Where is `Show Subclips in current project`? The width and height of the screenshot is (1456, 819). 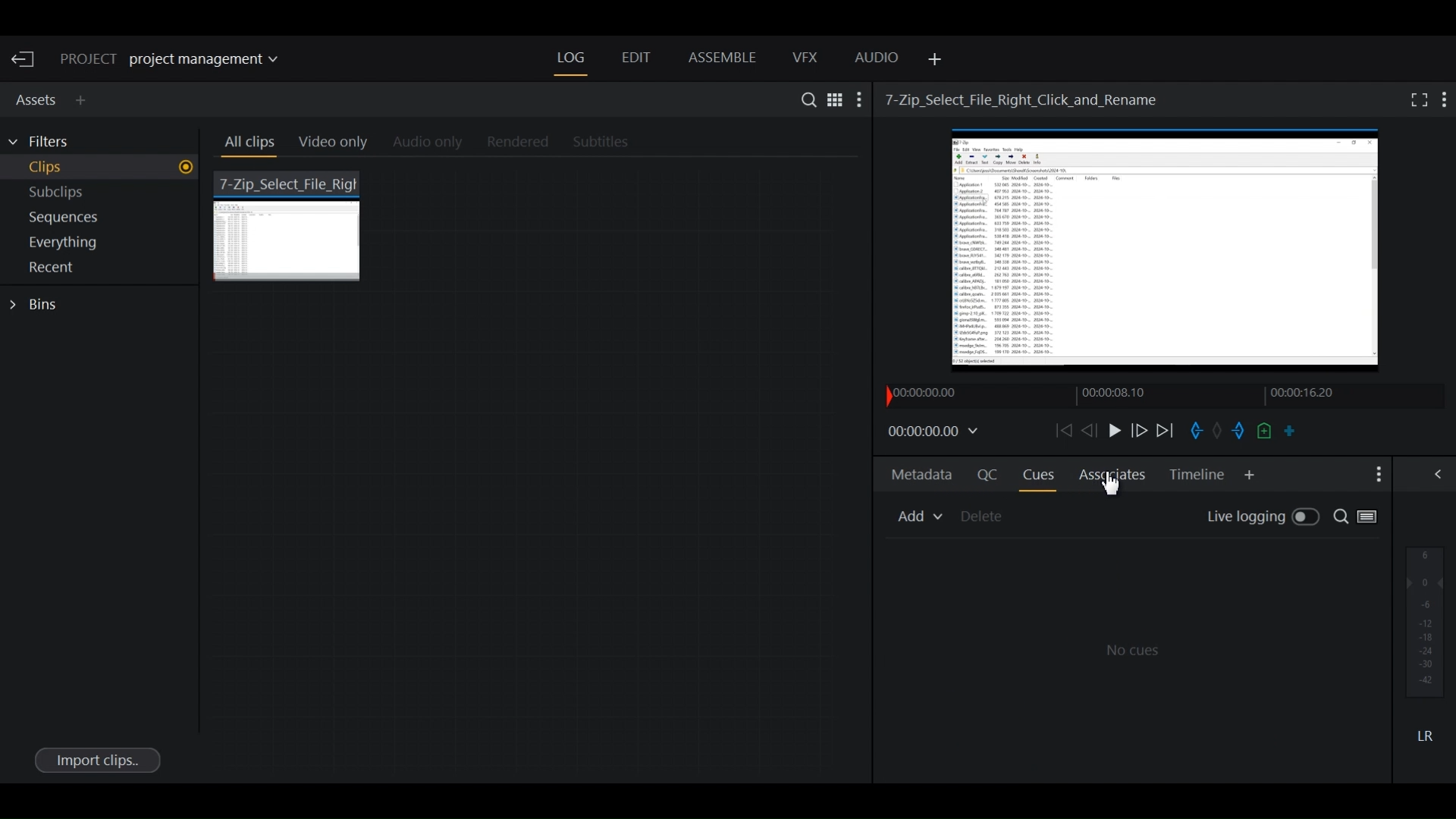
Show Subclips in current project is located at coordinates (103, 195).